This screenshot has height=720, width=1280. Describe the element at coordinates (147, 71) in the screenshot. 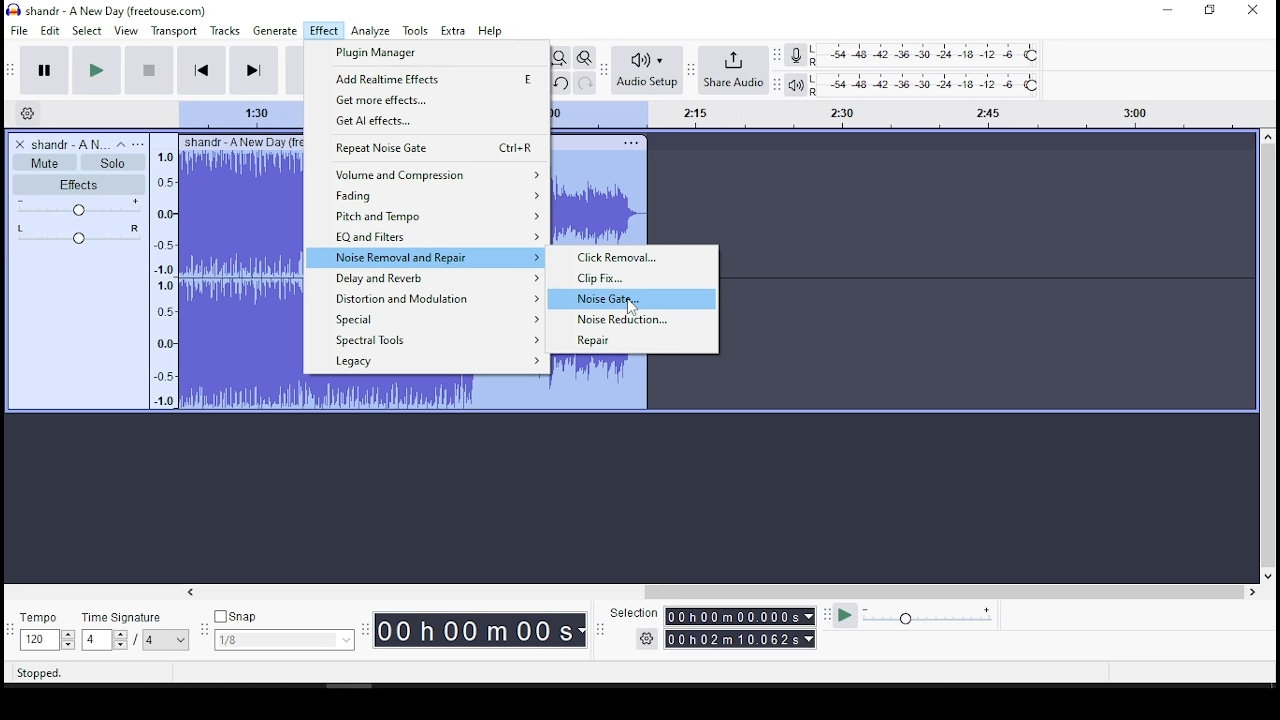

I see `stop` at that location.